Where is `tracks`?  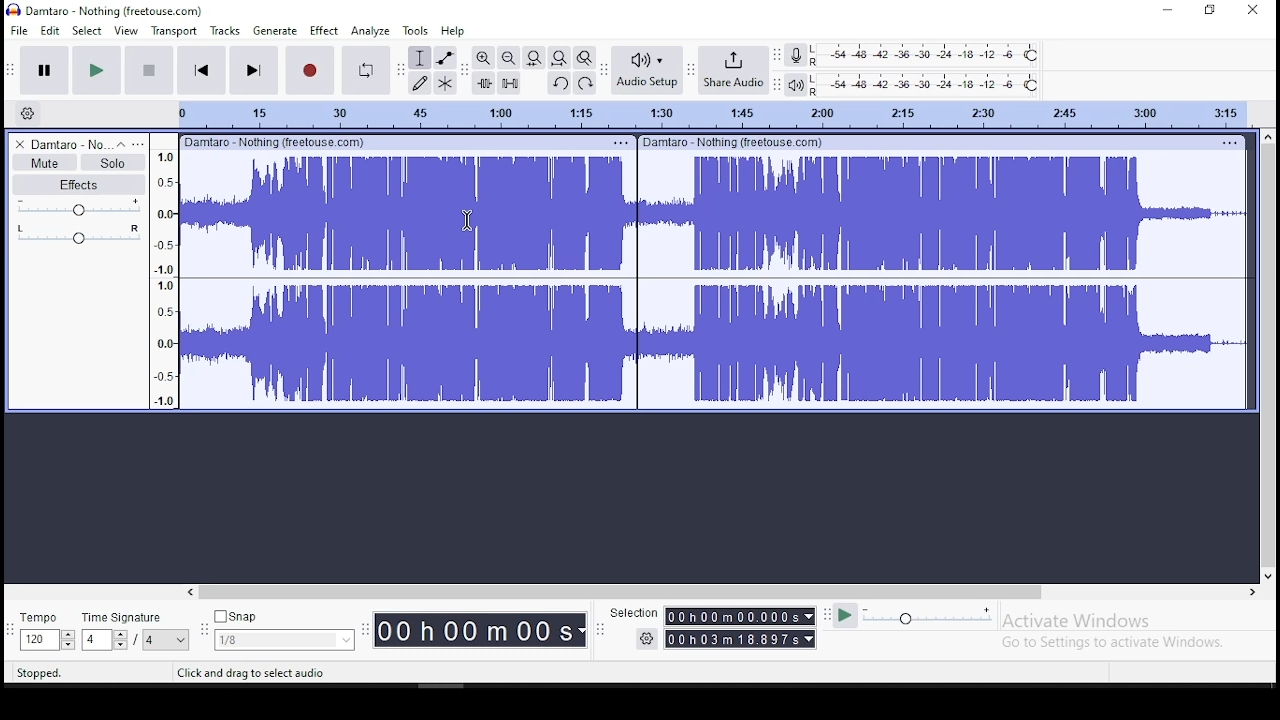 tracks is located at coordinates (225, 31).